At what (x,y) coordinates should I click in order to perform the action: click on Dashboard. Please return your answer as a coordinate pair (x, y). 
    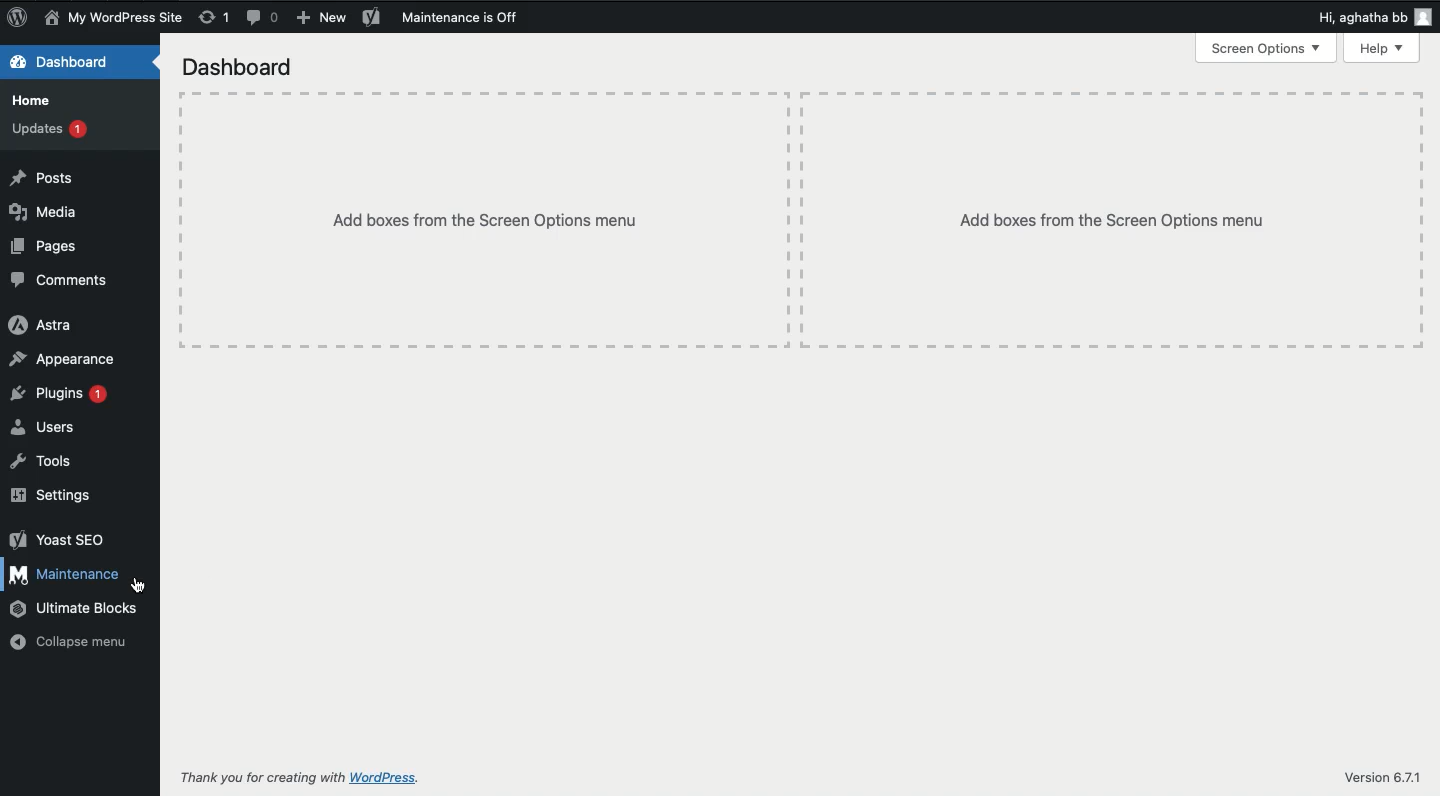
    Looking at the image, I should click on (63, 64).